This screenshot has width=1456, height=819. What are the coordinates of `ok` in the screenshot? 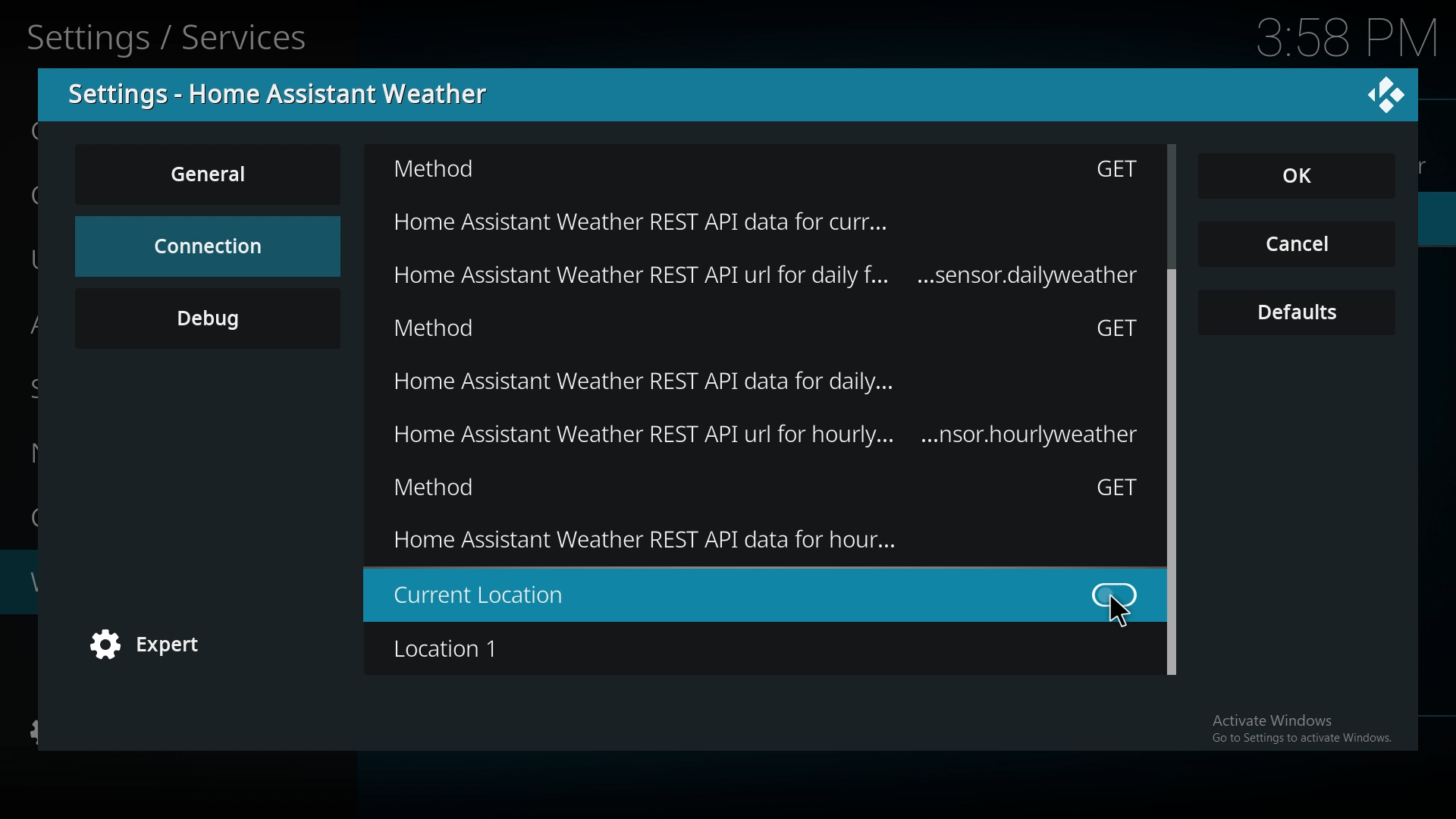 It's located at (1306, 177).